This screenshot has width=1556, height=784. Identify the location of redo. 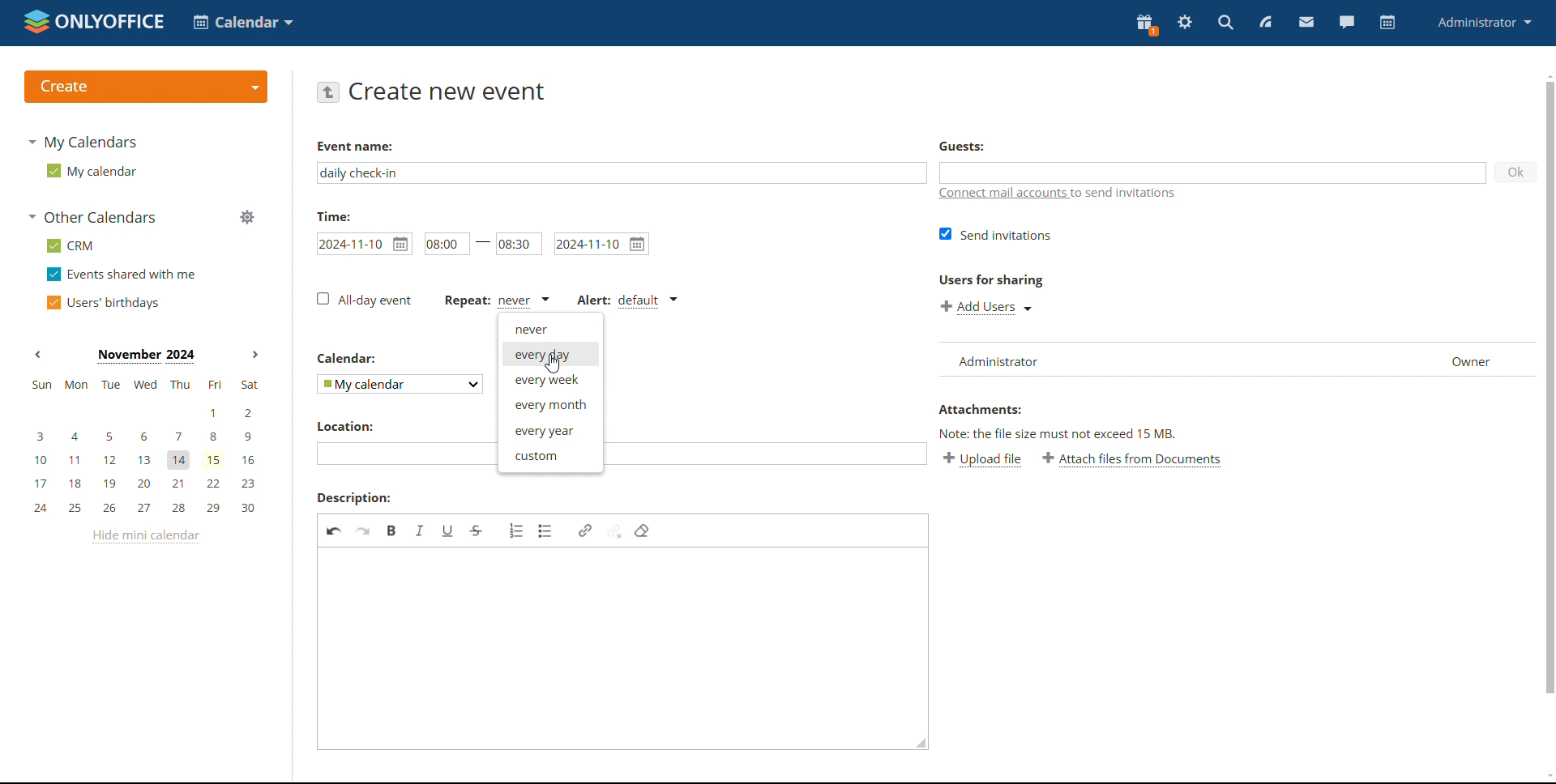
(364, 530).